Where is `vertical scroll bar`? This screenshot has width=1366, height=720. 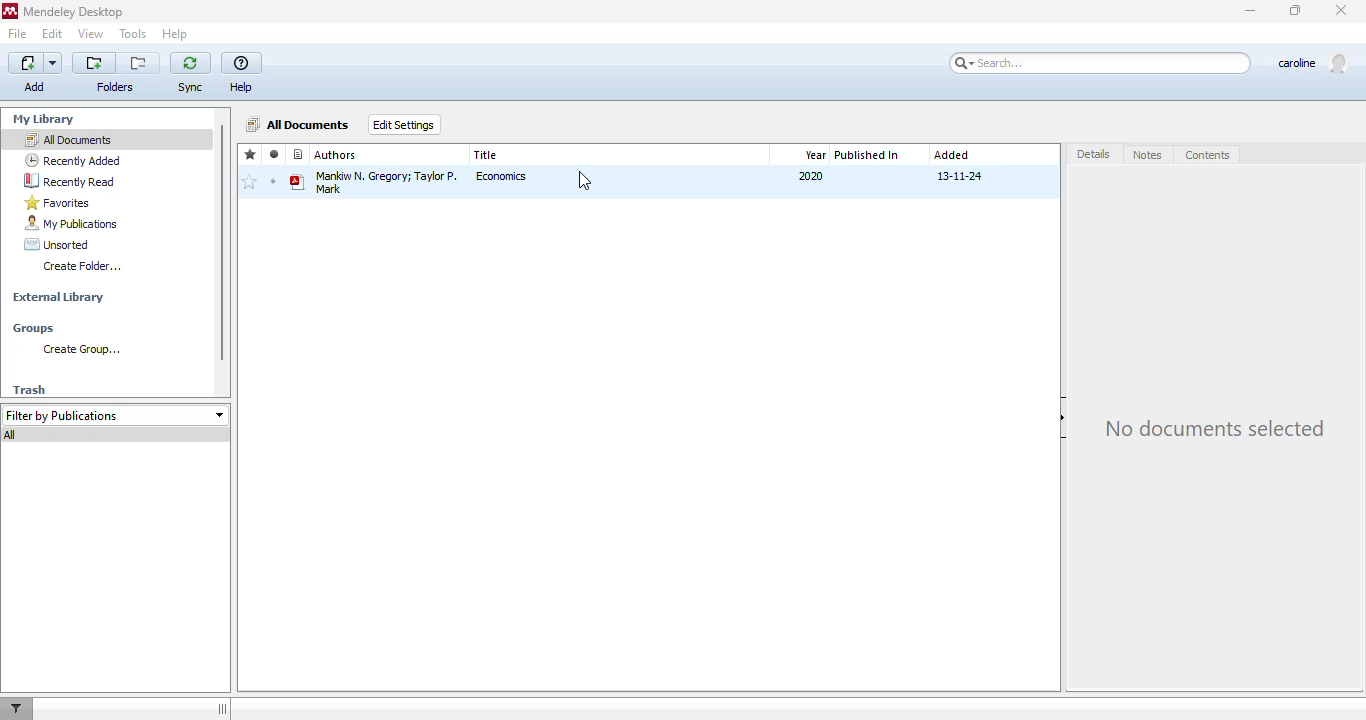 vertical scroll bar is located at coordinates (221, 242).